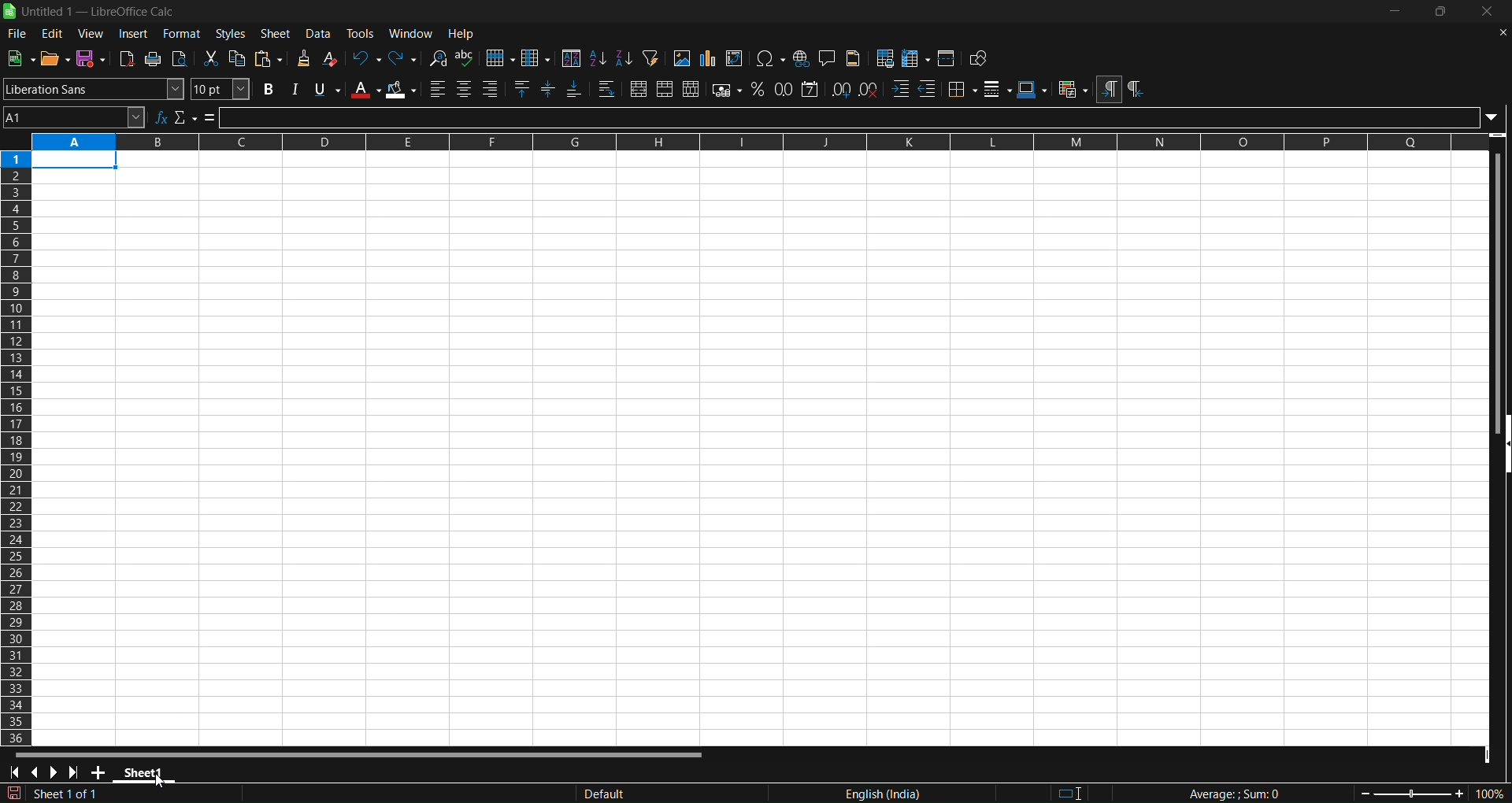 The height and width of the screenshot is (803, 1512). Describe the element at coordinates (747, 142) in the screenshot. I see `rows` at that location.